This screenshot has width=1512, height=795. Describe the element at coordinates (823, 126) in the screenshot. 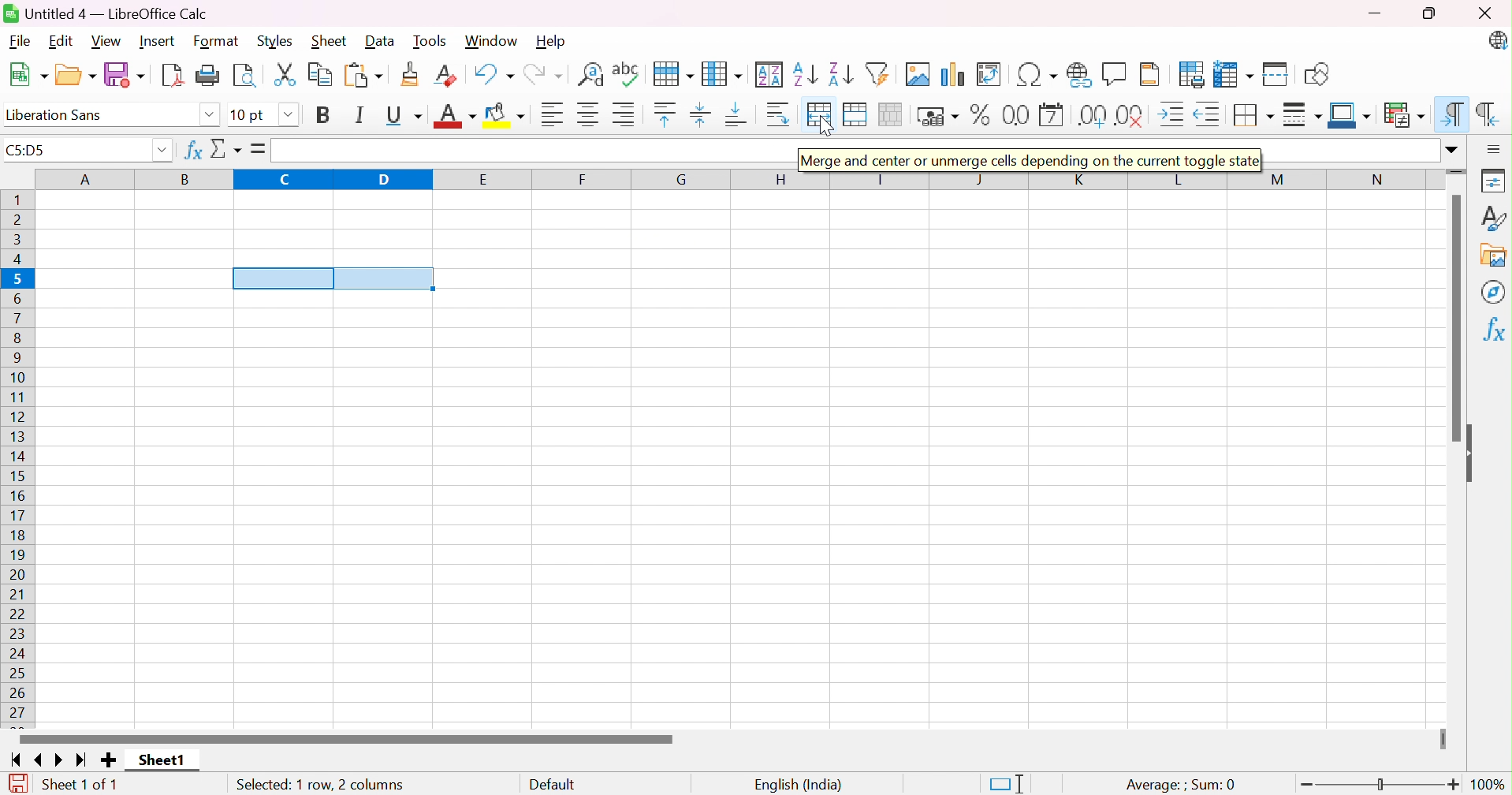

I see `Cursor` at that location.